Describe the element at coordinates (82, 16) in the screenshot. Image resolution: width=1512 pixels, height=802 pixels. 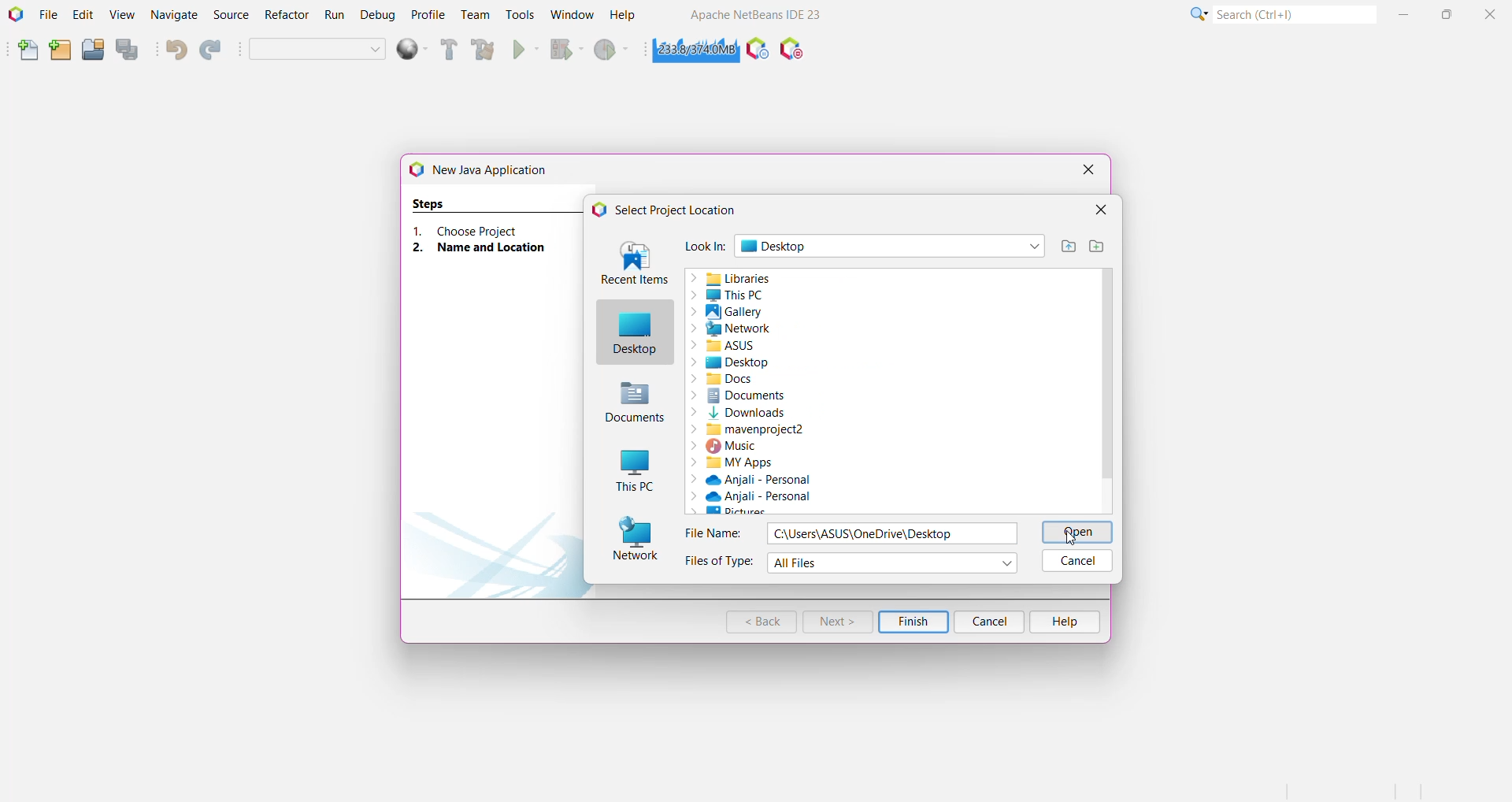
I see `Edit` at that location.